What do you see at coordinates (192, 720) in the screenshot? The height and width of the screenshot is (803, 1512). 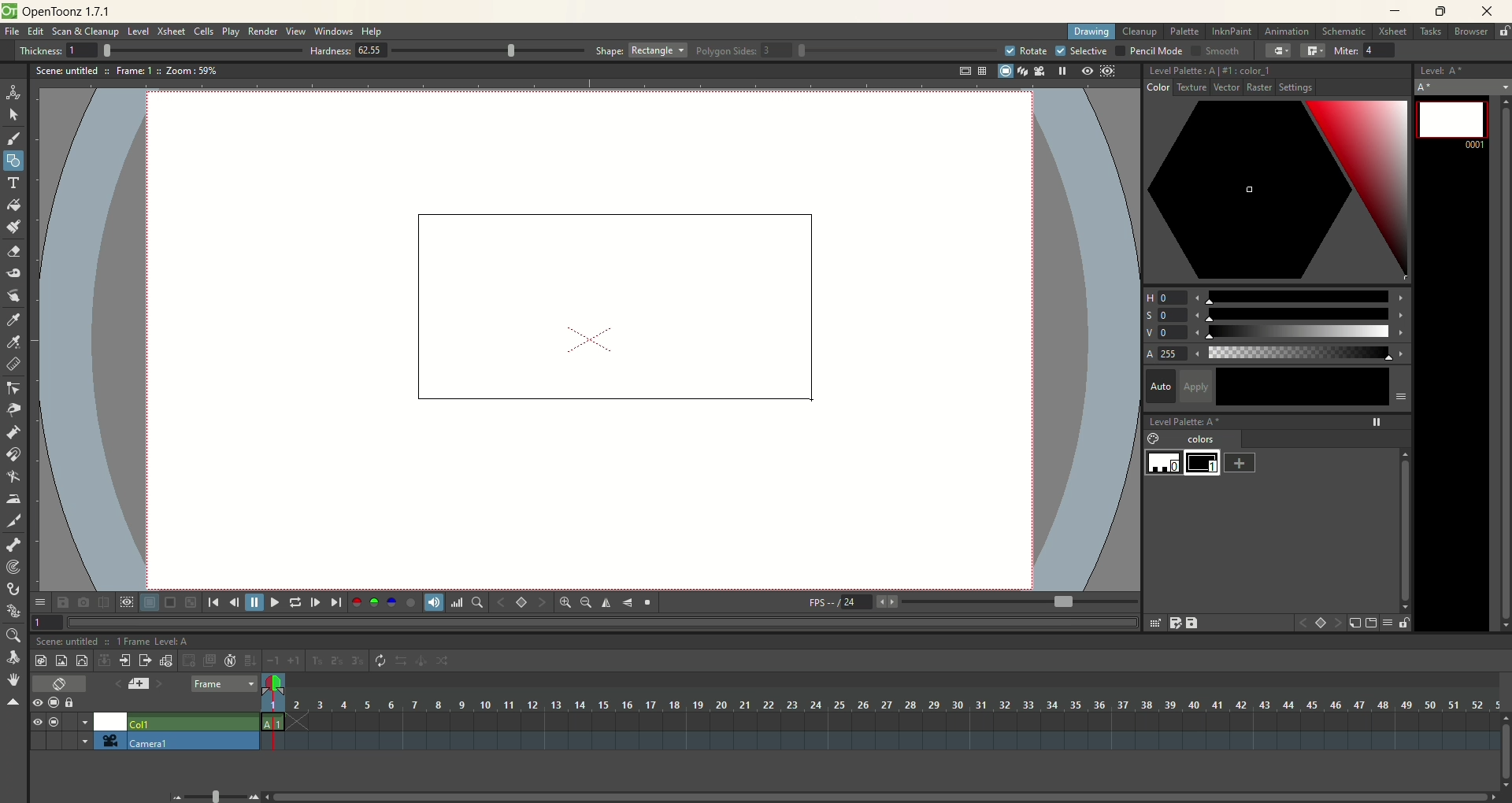 I see `col1` at bounding box center [192, 720].